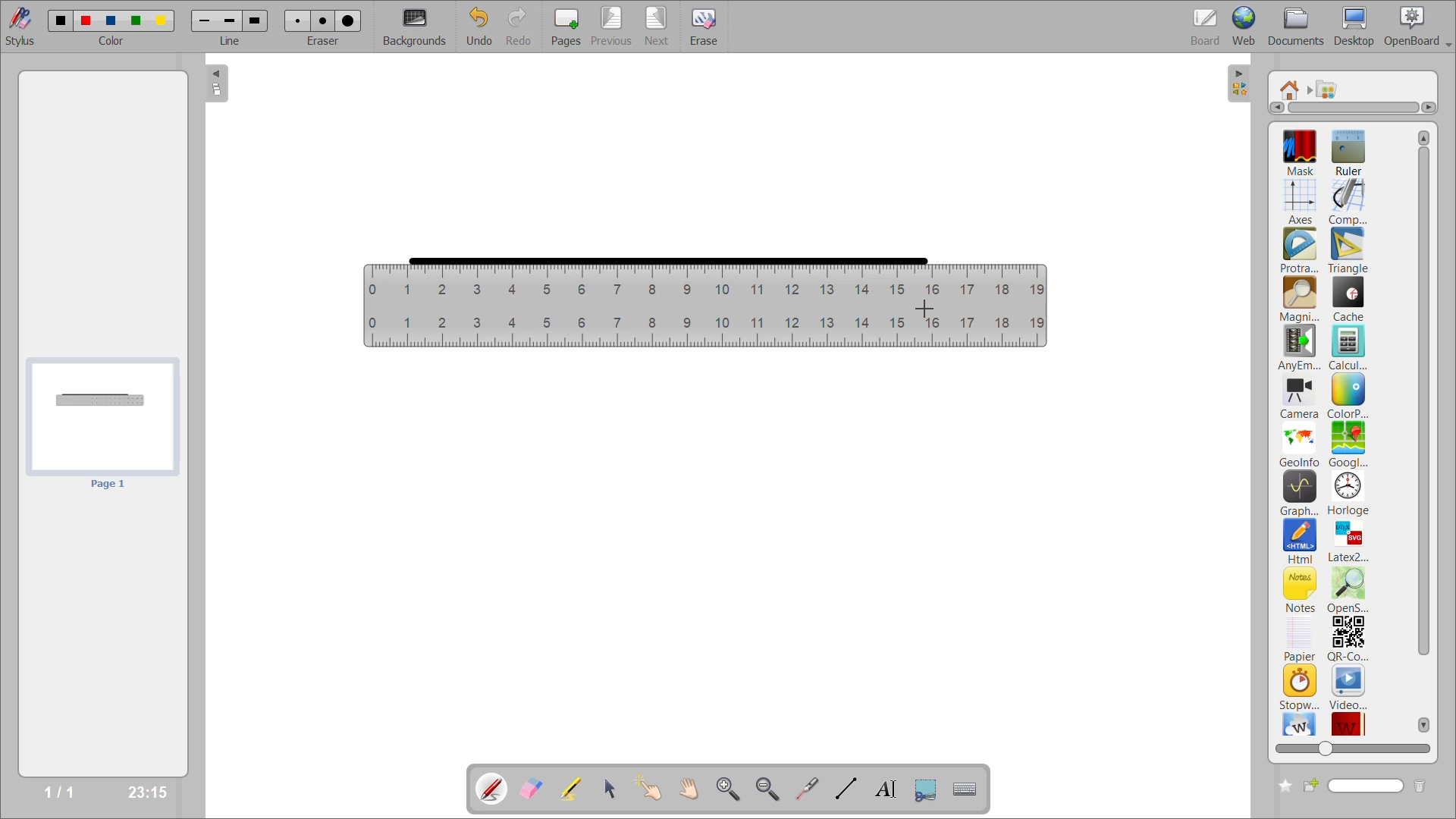 This screenshot has width=1456, height=819. What do you see at coordinates (929, 788) in the screenshot?
I see `capture part of the screen` at bounding box center [929, 788].